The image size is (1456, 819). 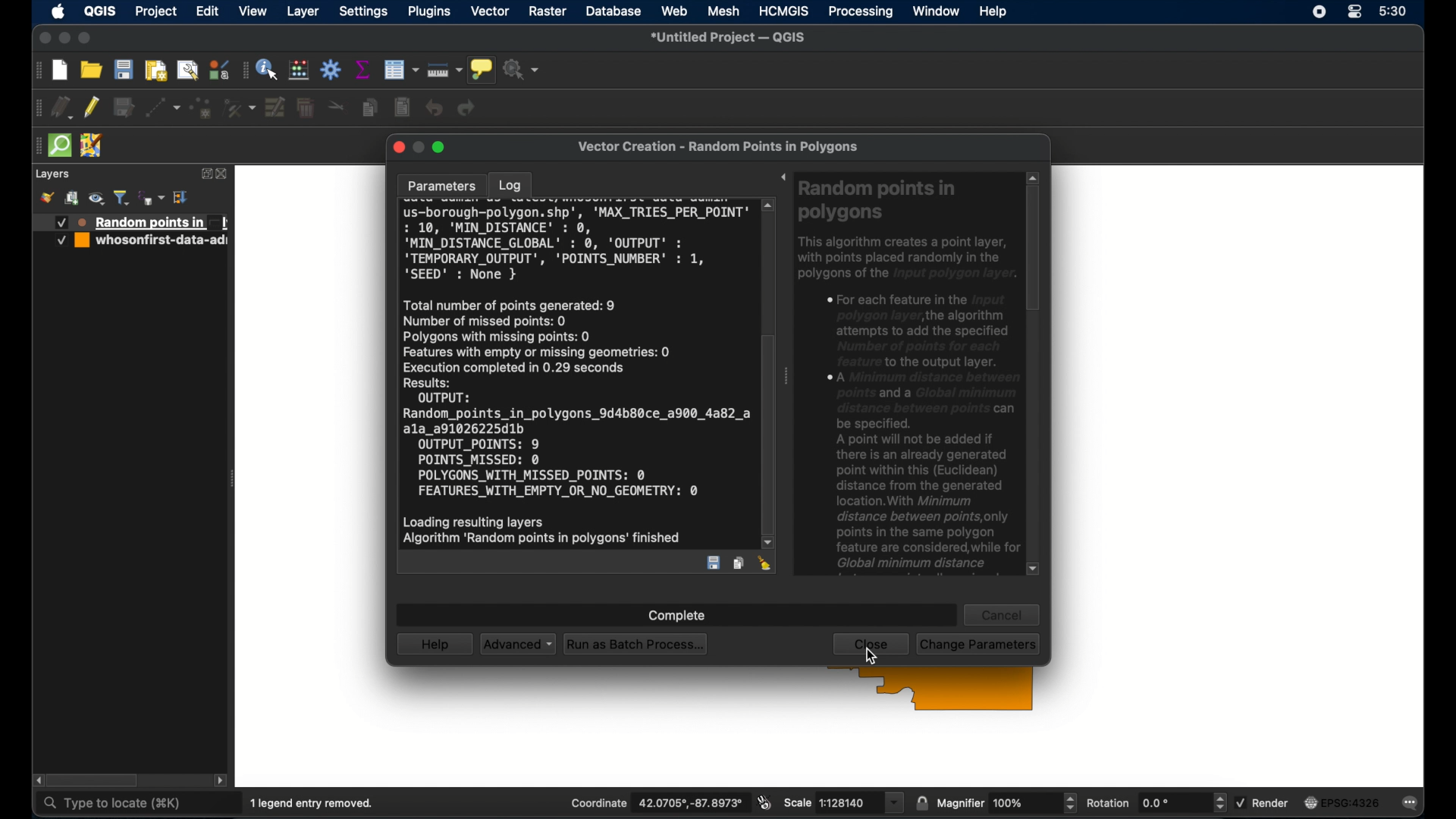 What do you see at coordinates (86, 38) in the screenshot?
I see `maximize` at bounding box center [86, 38].